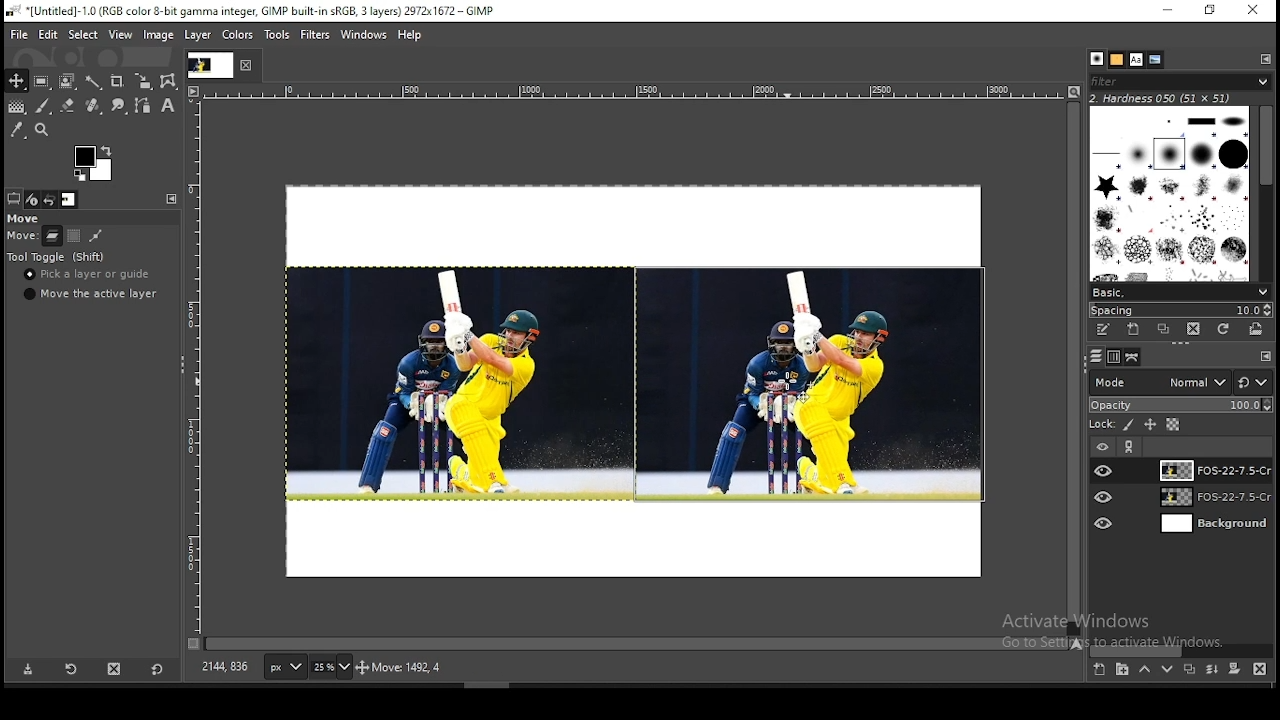  What do you see at coordinates (29, 670) in the screenshot?
I see `save tool preset` at bounding box center [29, 670].